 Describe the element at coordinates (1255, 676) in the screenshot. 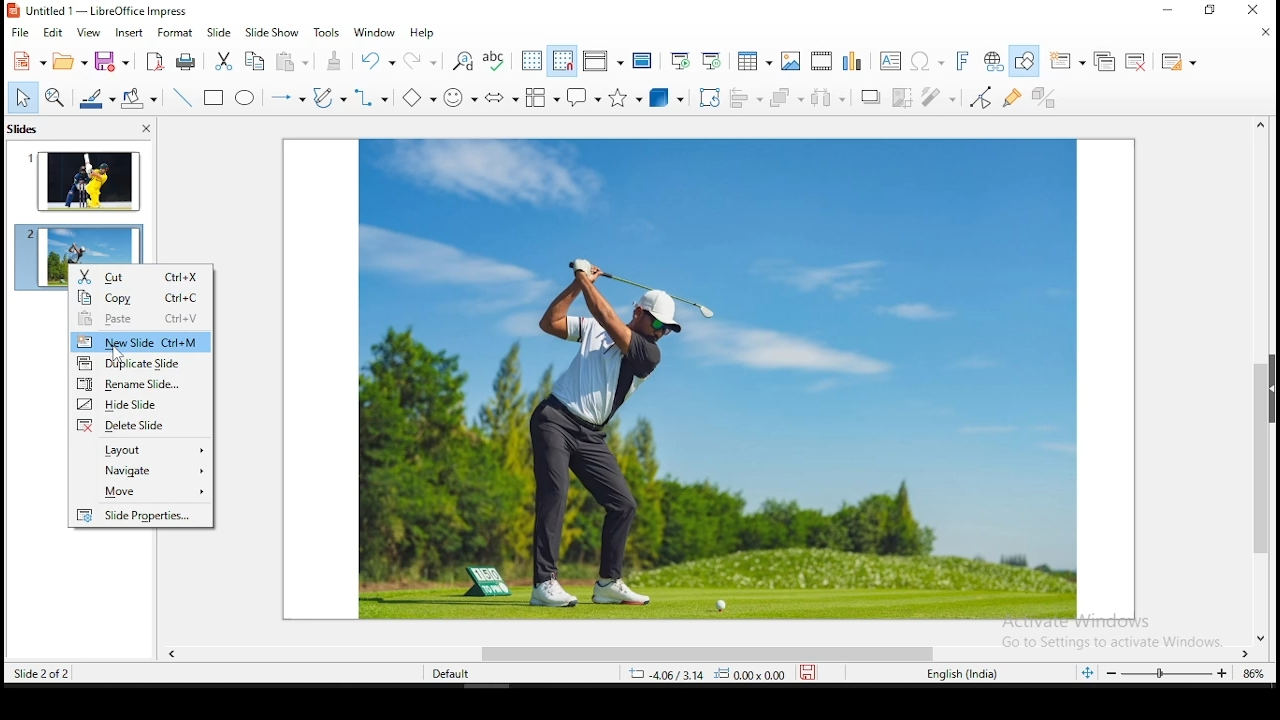

I see `zoom level` at that location.